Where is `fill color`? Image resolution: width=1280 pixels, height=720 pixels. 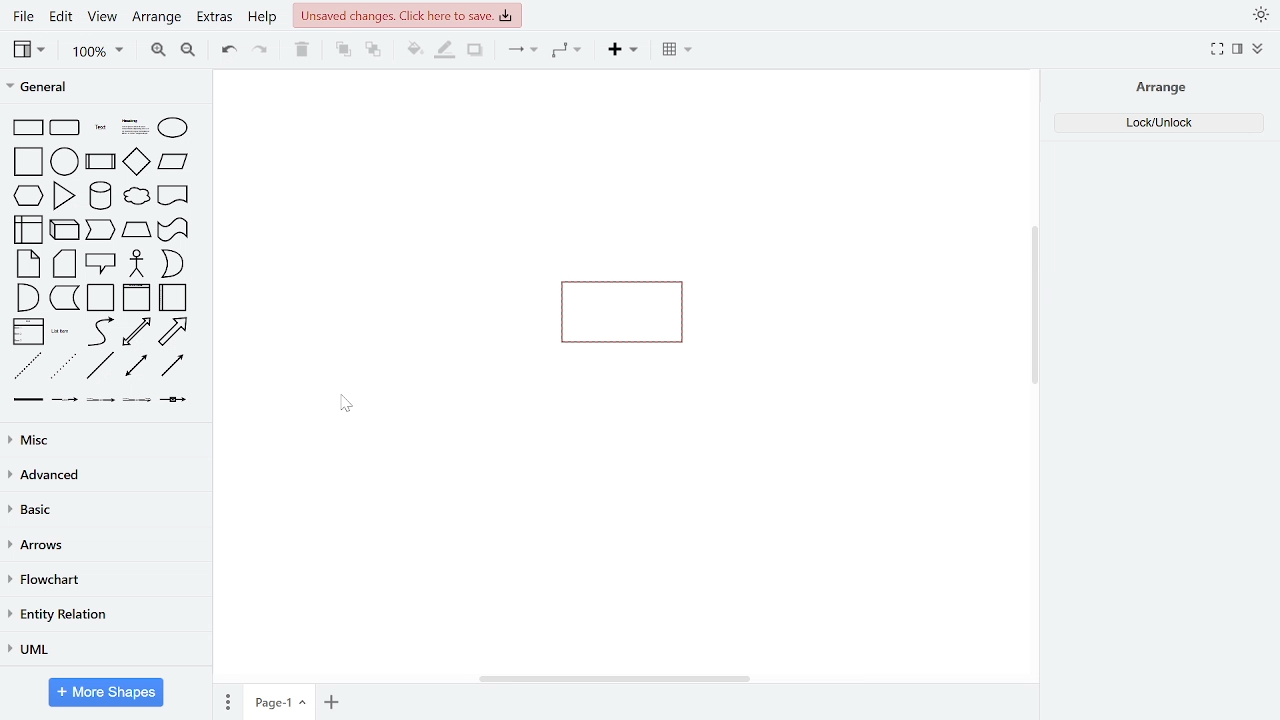
fill color is located at coordinates (413, 49).